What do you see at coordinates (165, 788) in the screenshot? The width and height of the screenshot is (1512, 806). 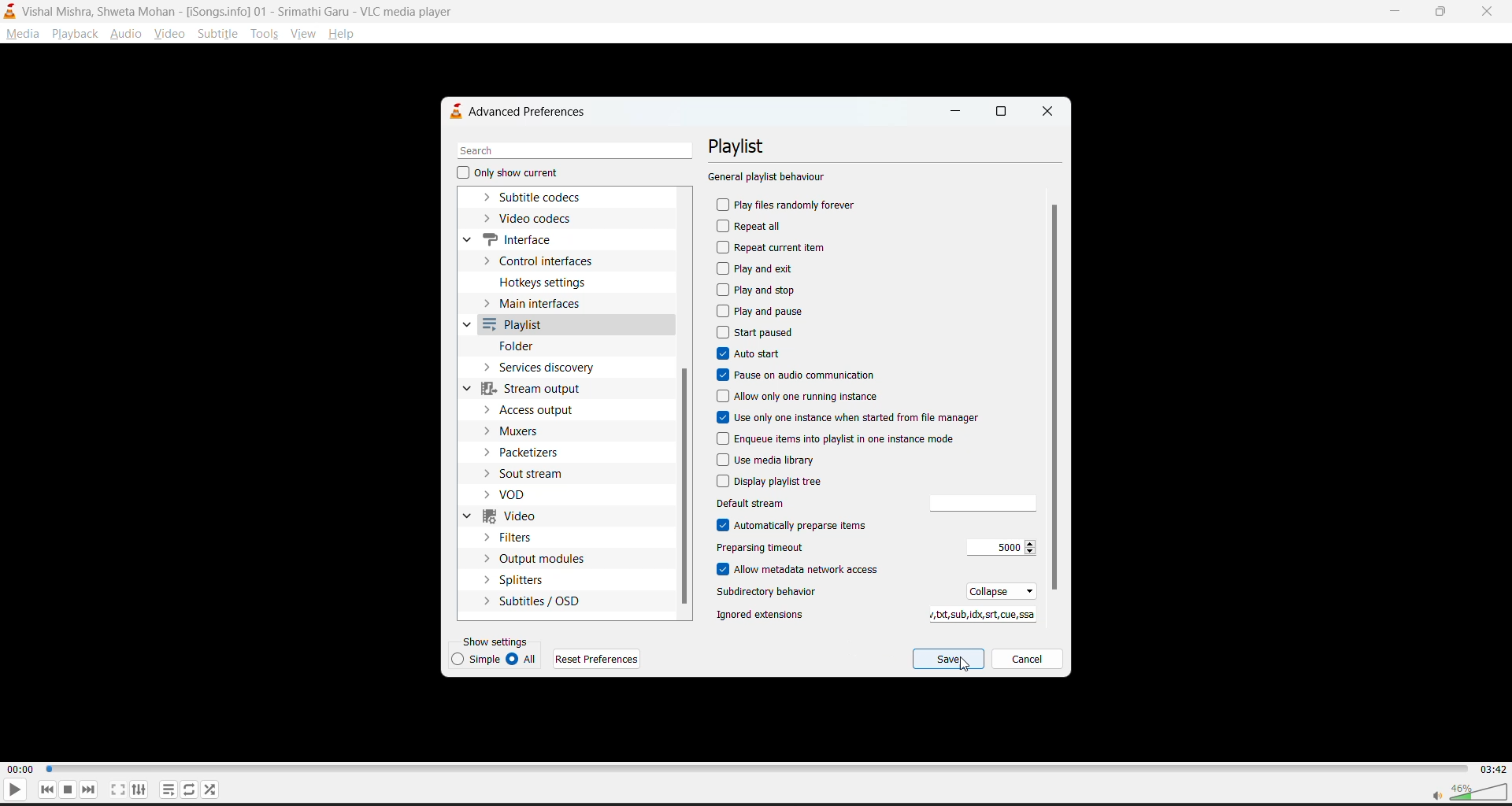 I see `playlist` at bounding box center [165, 788].